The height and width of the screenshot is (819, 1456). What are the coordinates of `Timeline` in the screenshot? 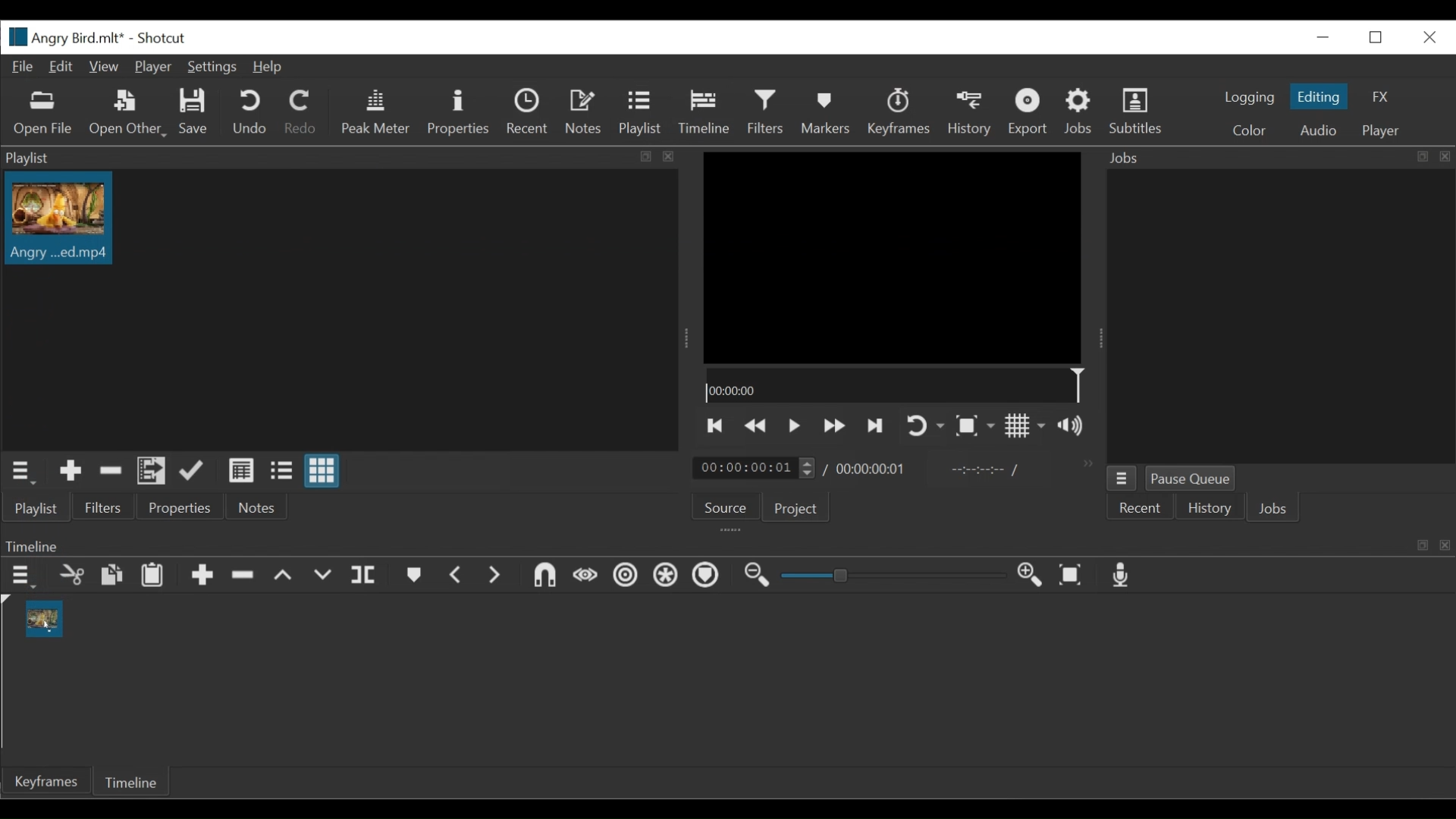 It's located at (897, 388).